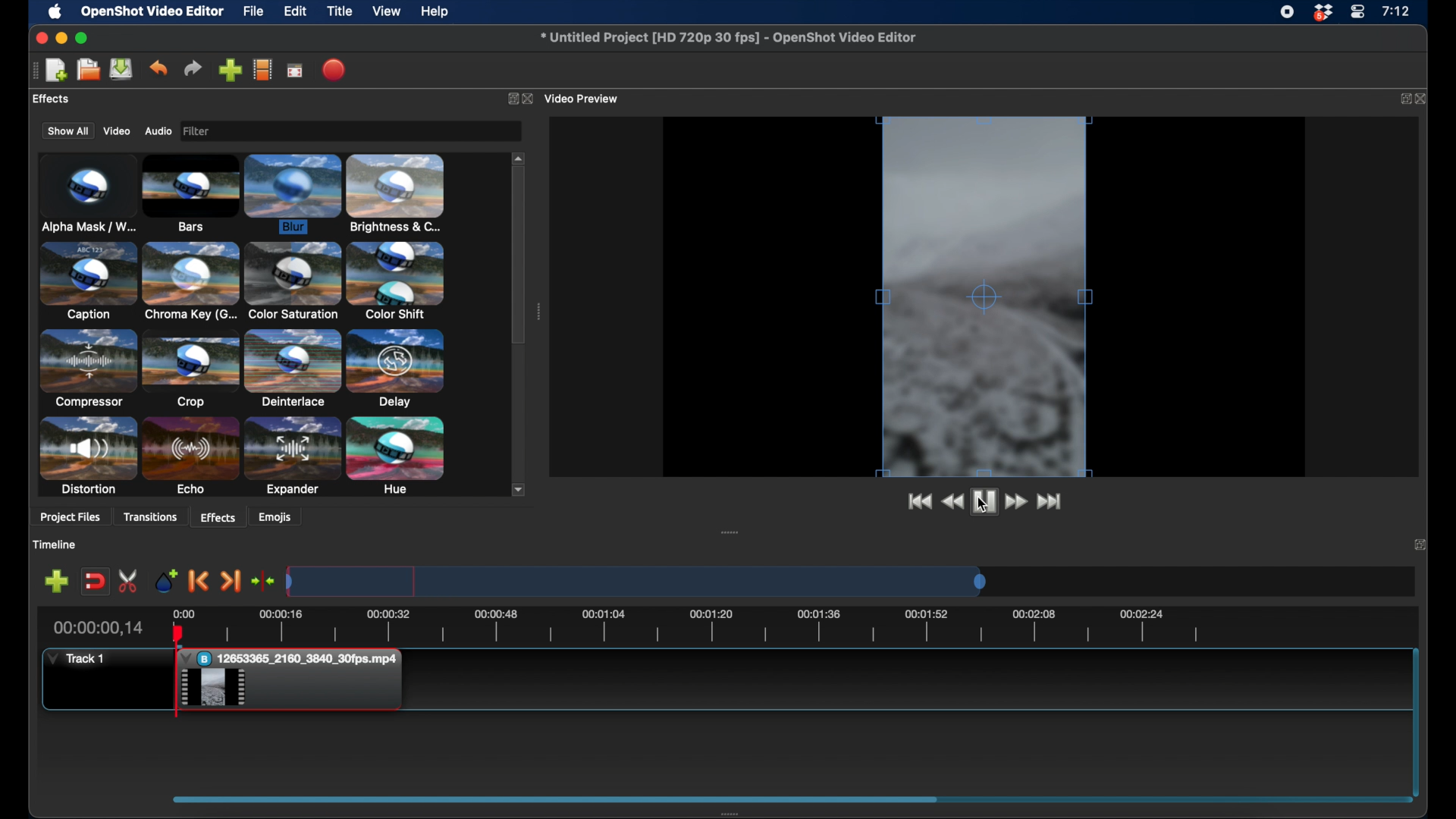 The height and width of the screenshot is (819, 1456). What do you see at coordinates (61, 39) in the screenshot?
I see `minimize` at bounding box center [61, 39].